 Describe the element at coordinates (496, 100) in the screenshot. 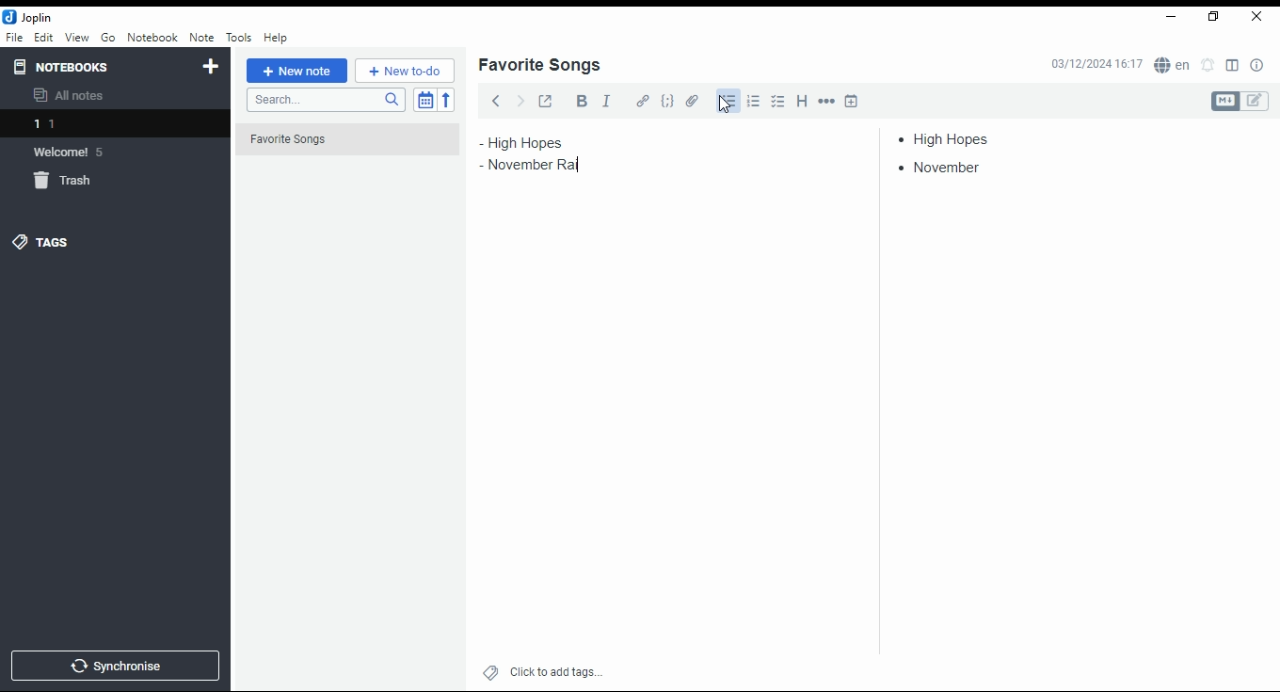

I see `back` at that location.